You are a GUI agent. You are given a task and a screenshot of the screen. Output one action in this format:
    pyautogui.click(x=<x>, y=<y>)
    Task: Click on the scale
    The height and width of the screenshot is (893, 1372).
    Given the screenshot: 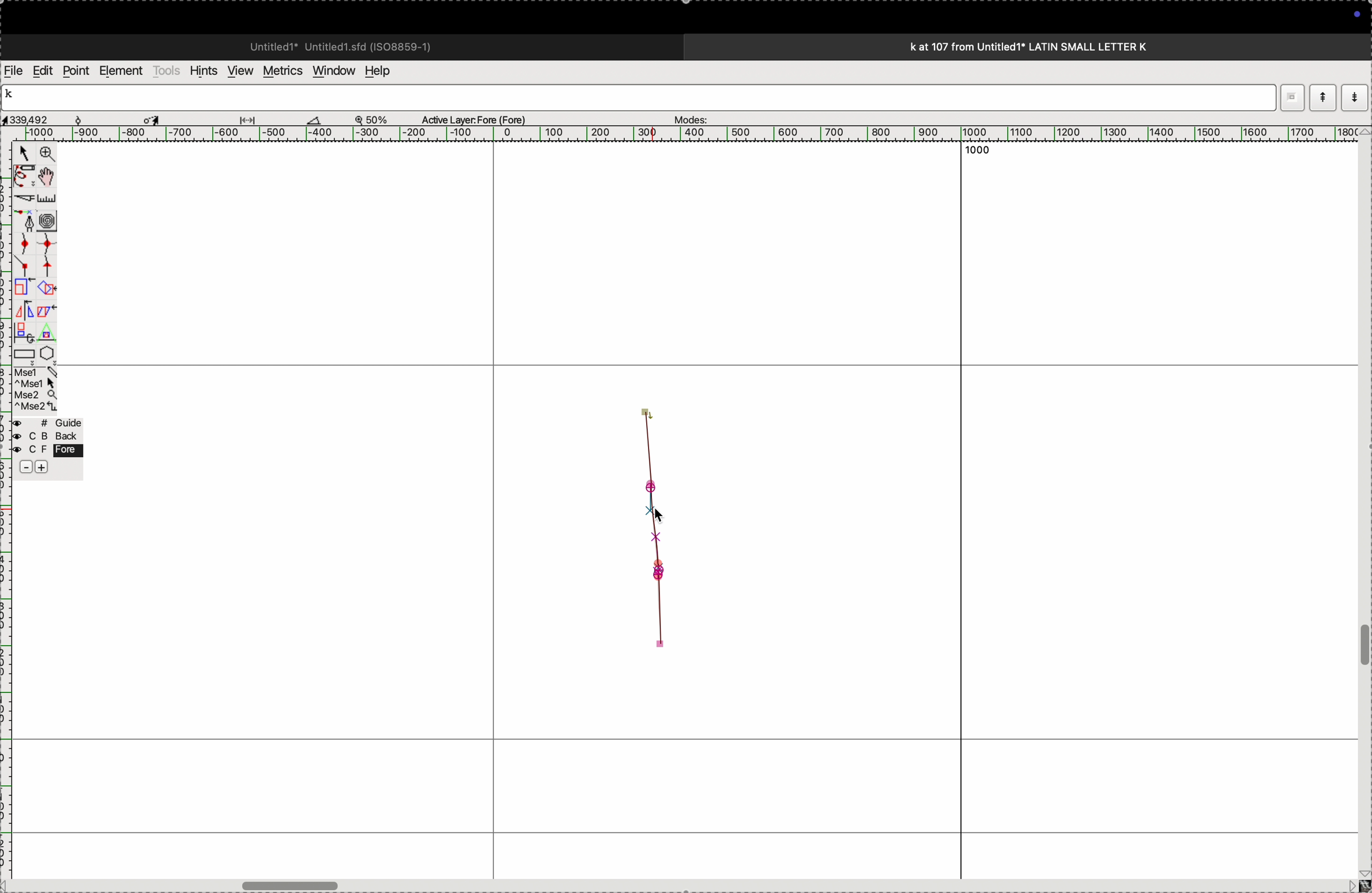 What is the action you would take?
    pyautogui.click(x=49, y=198)
    